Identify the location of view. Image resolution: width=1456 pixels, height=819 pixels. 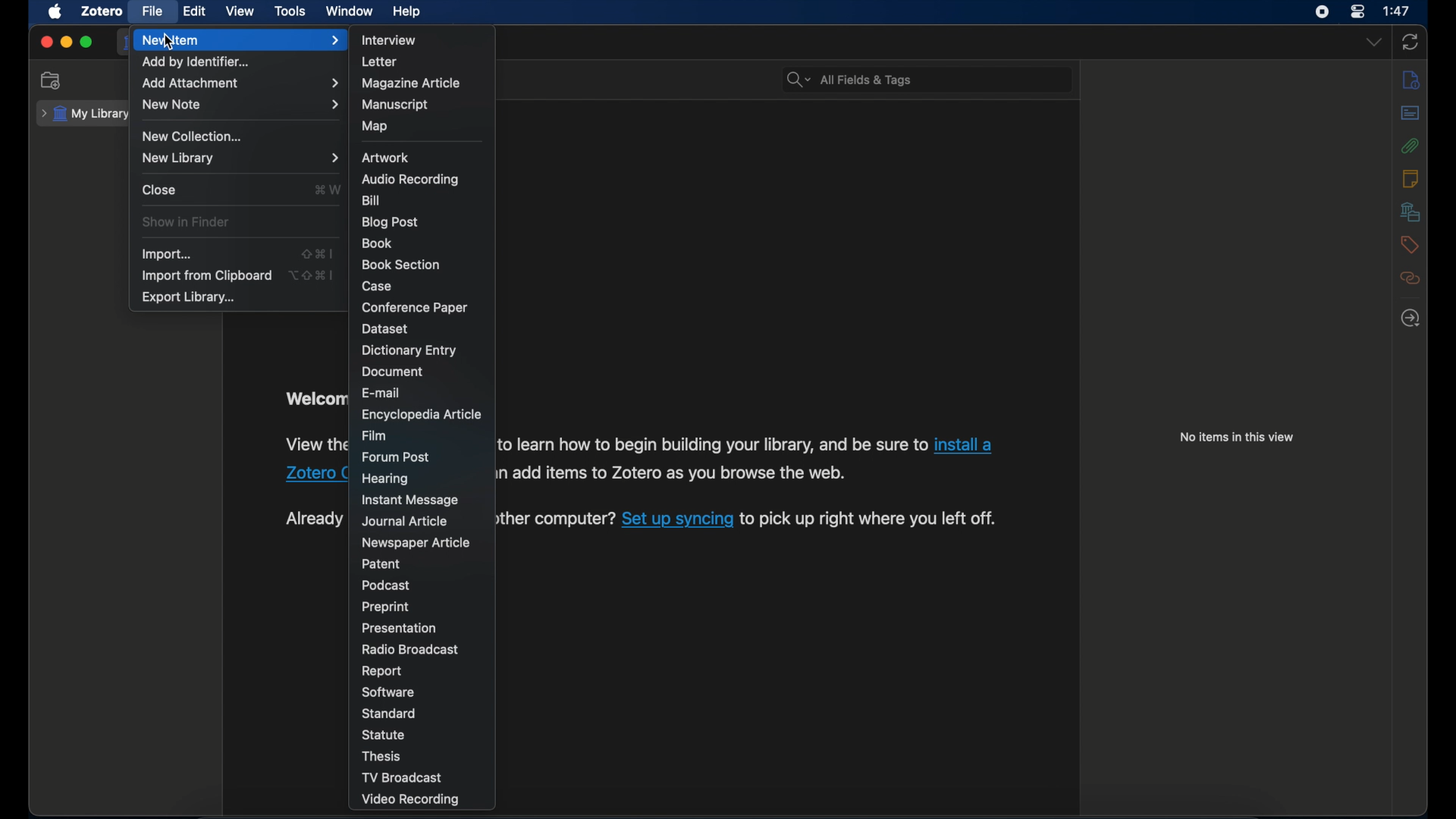
(241, 11).